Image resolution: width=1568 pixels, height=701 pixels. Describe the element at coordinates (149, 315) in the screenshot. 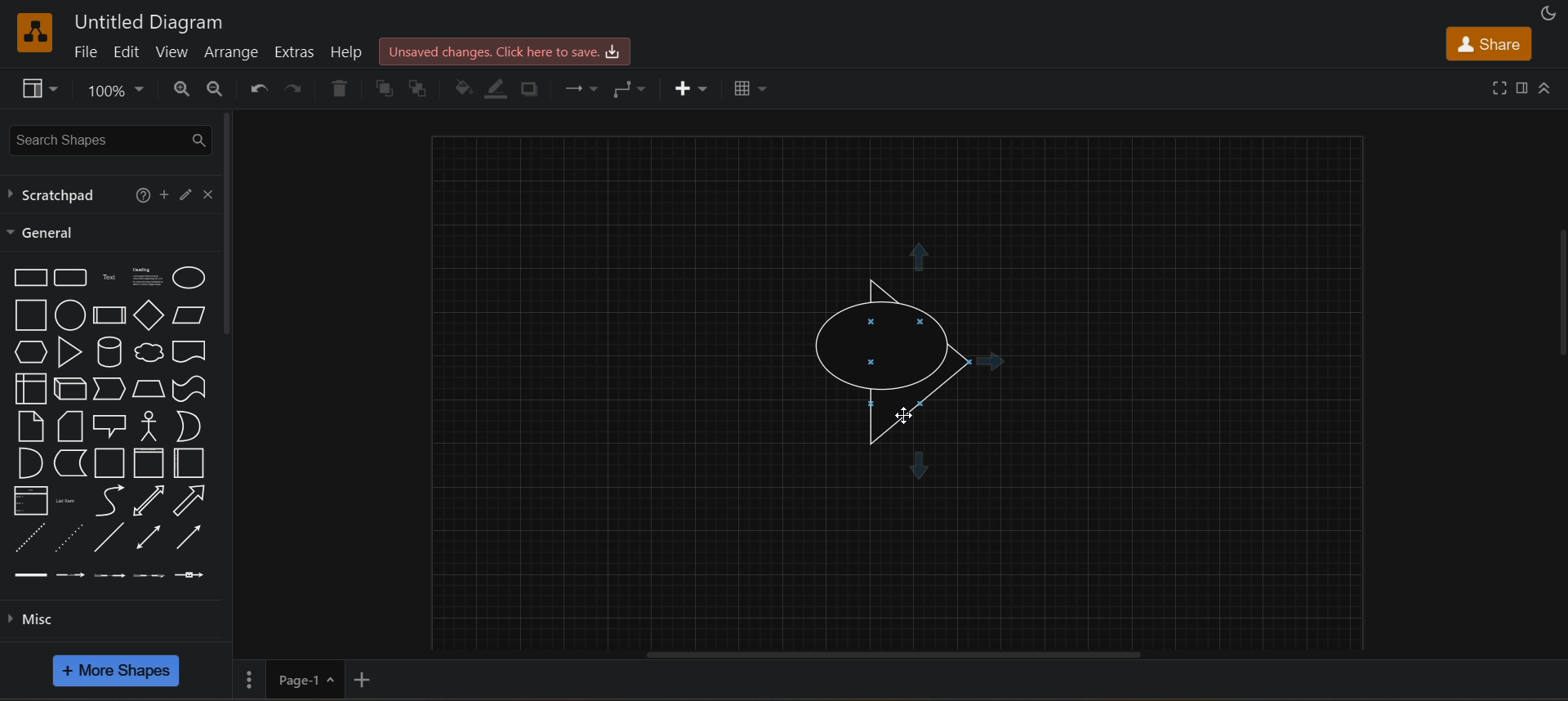

I see `diamond` at that location.